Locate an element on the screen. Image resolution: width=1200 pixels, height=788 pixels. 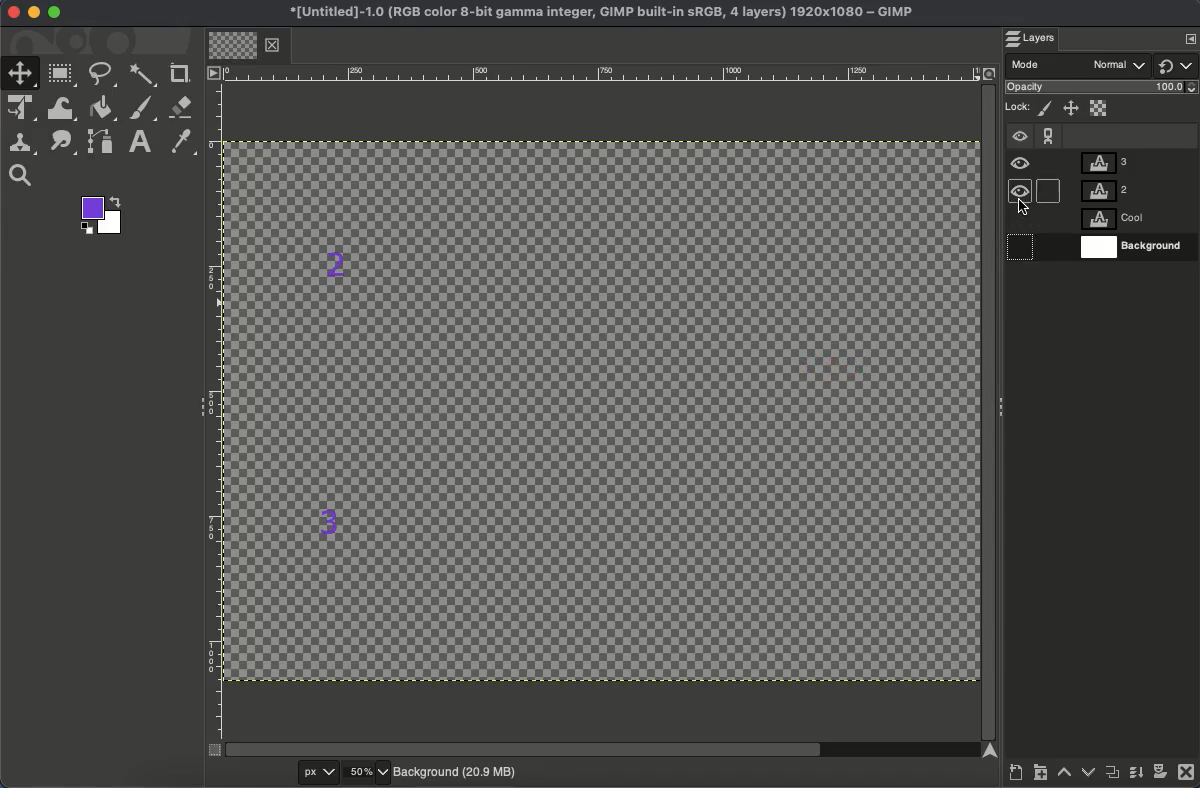
Scroll is located at coordinates (603, 750).